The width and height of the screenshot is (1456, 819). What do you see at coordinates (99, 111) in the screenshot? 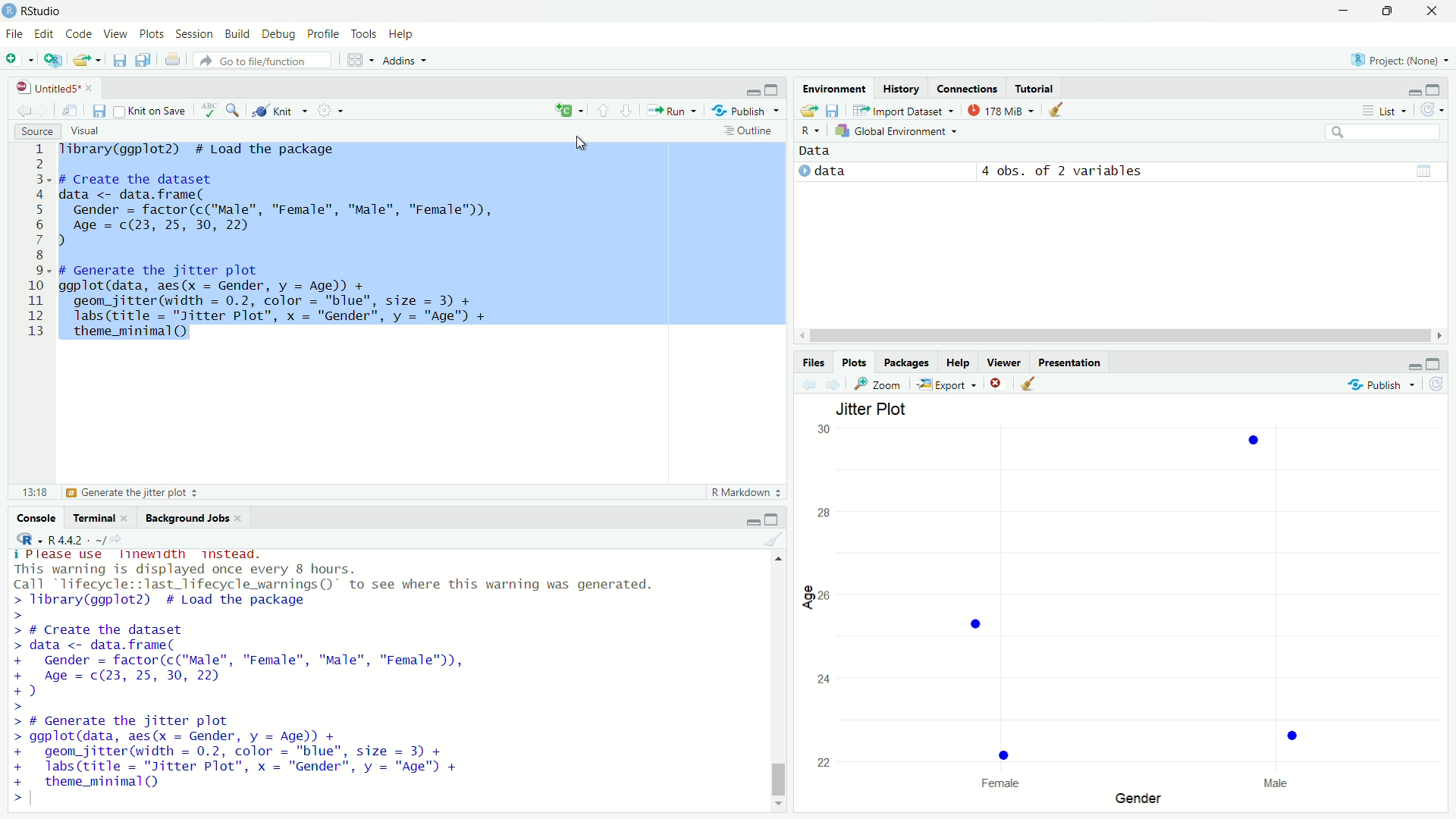
I see `save current document` at bounding box center [99, 111].